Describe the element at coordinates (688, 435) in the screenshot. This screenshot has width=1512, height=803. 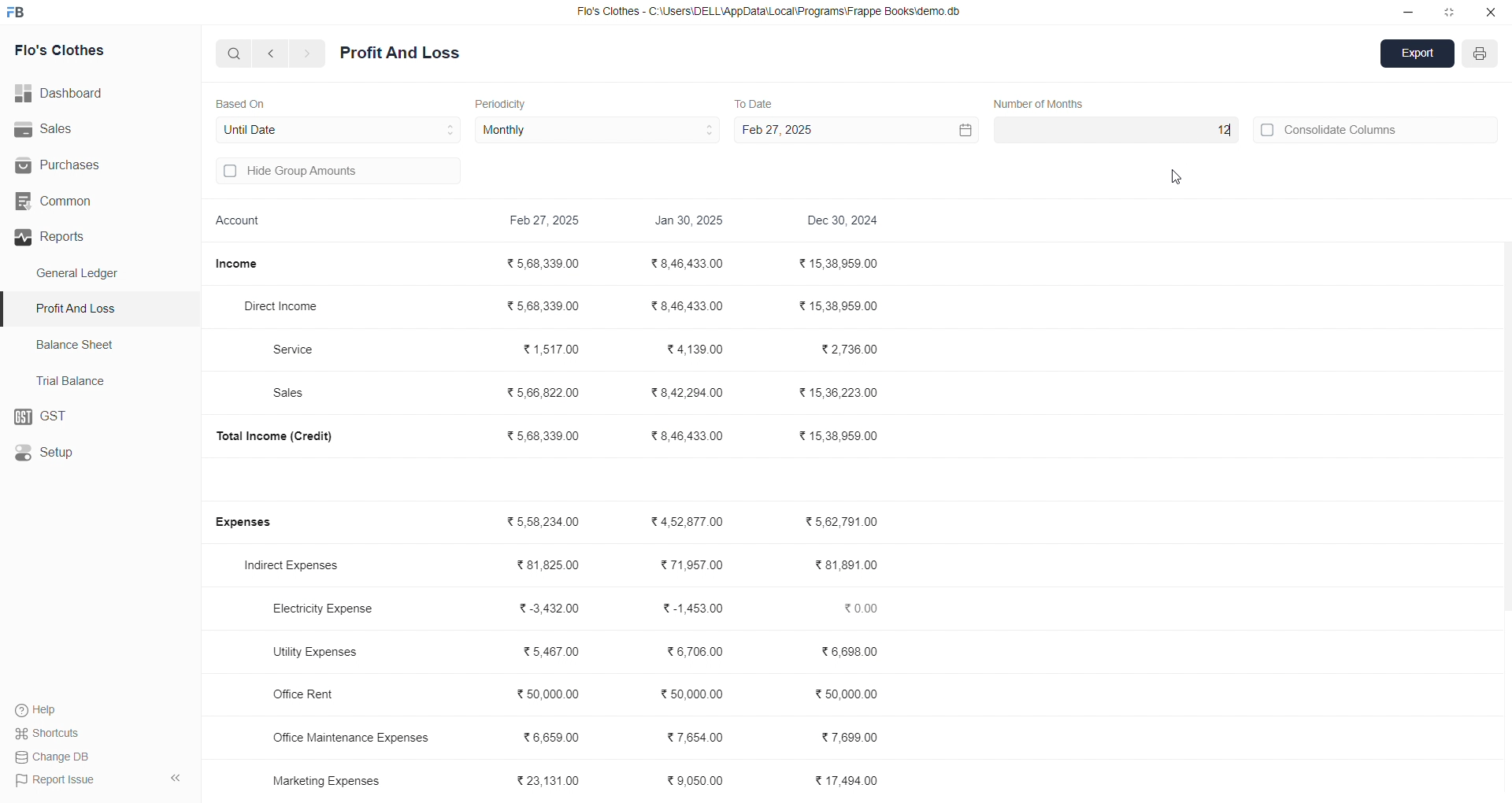
I see `₹8,46,433.00` at that location.